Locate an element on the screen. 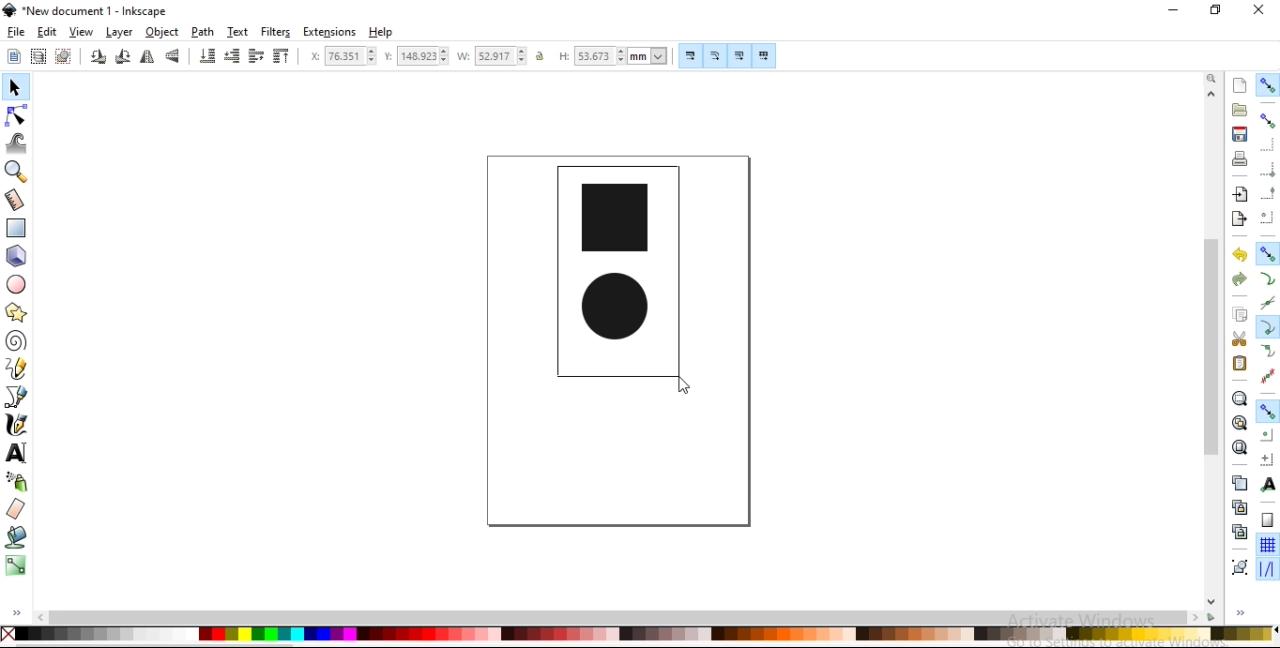 The width and height of the screenshot is (1280, 648). rotate 90 counter clockwise is located at coordinates (98, 59).